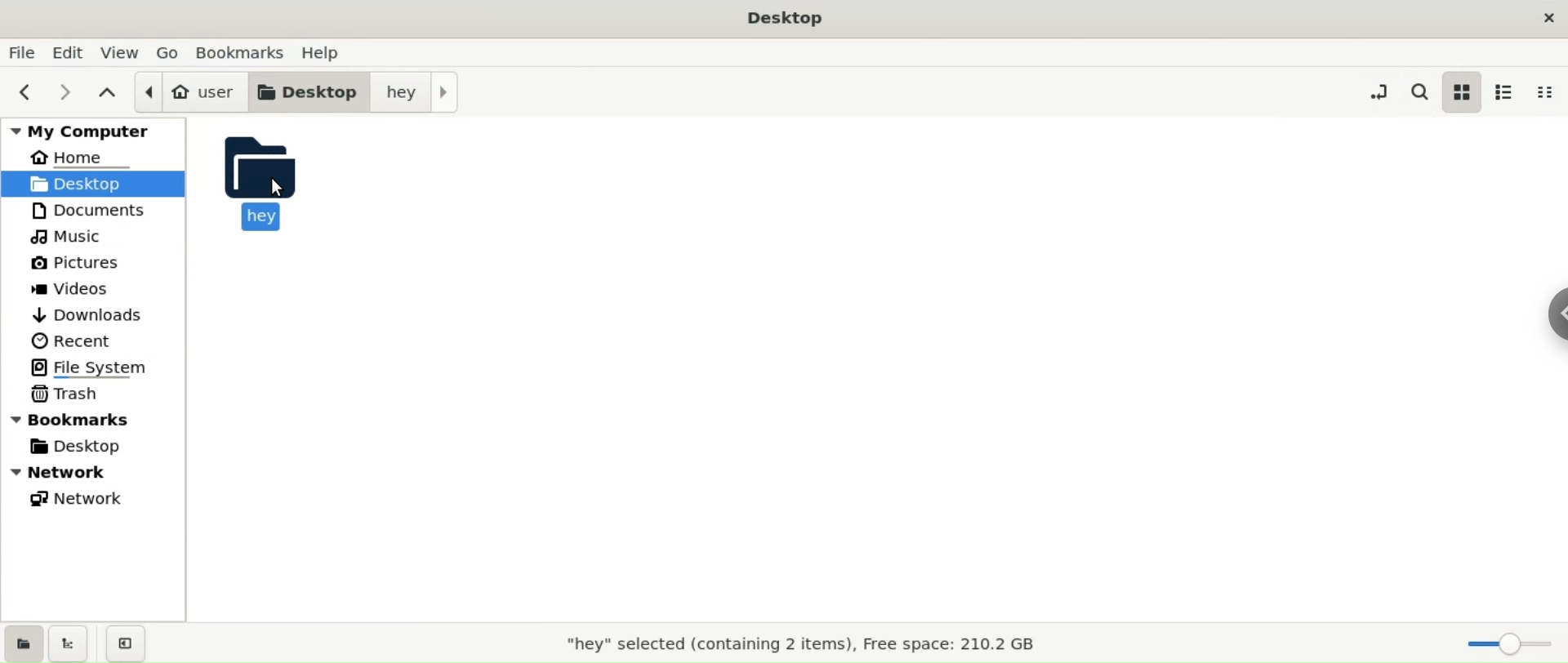 The image size is (1568, 663). Describe the element at coordinates (88, 313) in the screenshot. I see `downloads` at that location.